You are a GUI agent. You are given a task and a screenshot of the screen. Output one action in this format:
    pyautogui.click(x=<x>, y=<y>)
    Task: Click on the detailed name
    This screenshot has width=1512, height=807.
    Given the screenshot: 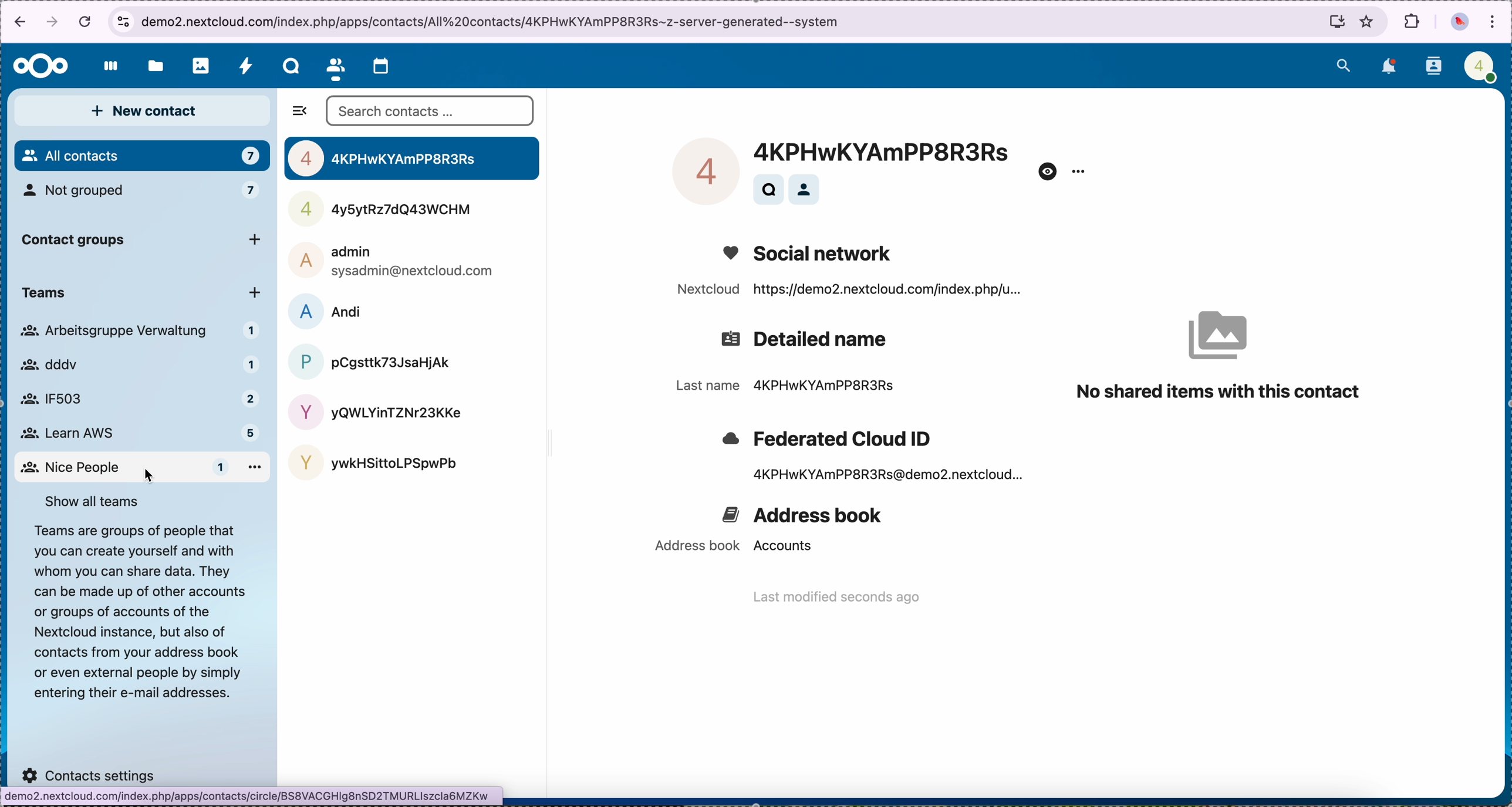 What is the action you would take?
    pyautogui.click(x=808, y=340)
    